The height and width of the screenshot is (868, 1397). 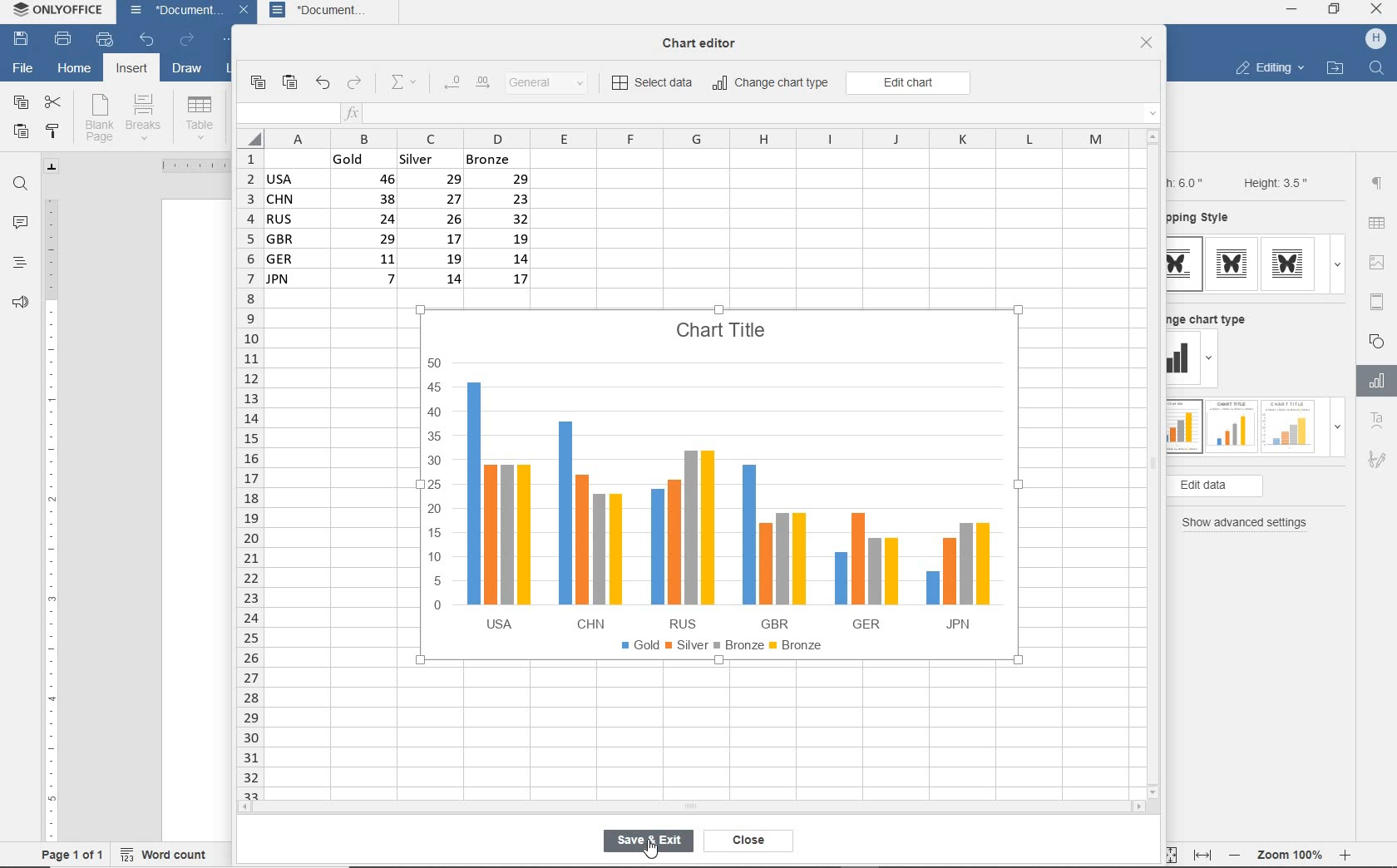 What do you see at coordinates (200, 117) in the screenshot?
I see `table` at bounding box center [200, 117].